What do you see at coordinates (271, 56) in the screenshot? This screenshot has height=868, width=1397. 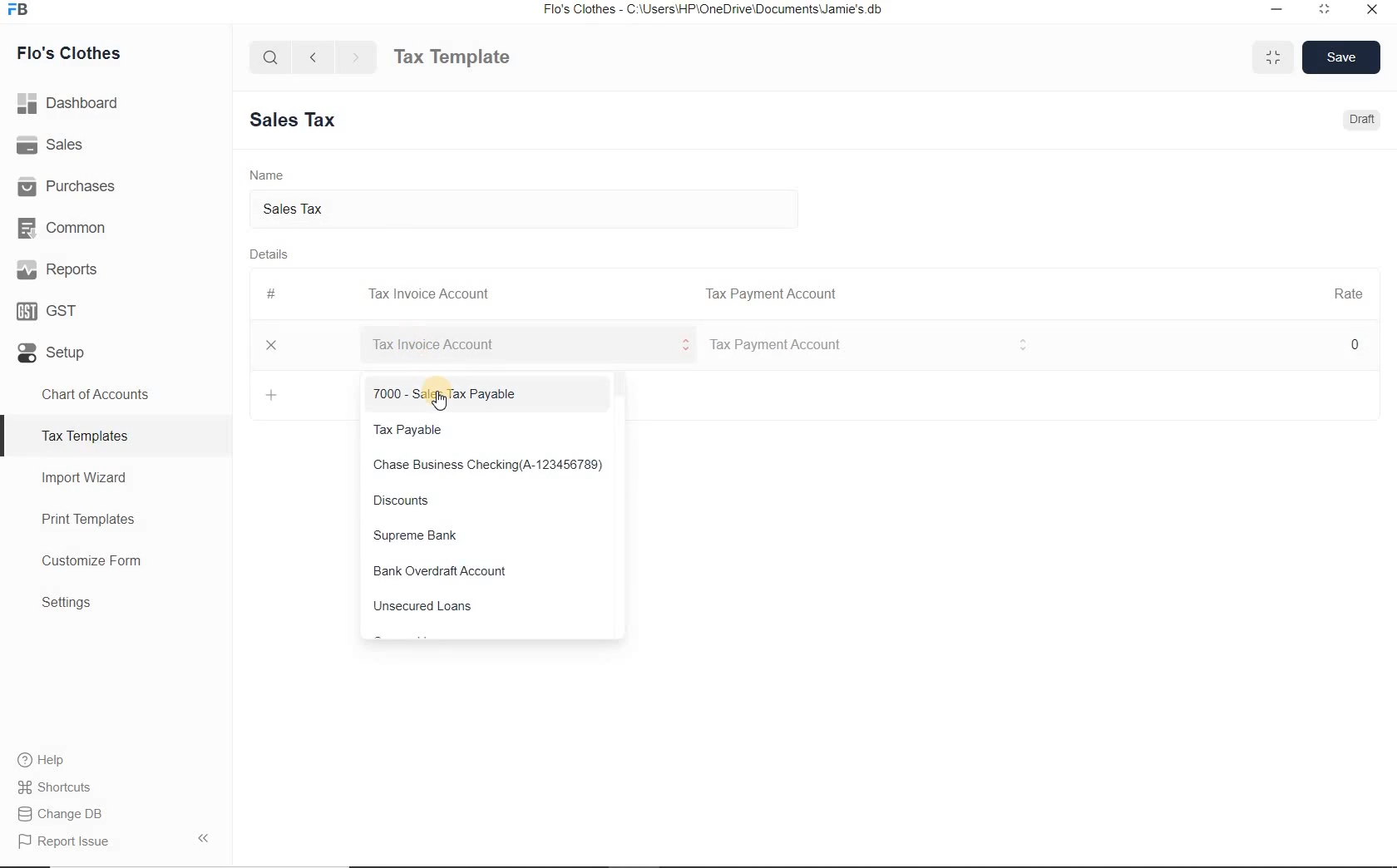 I see `Search Bar` at bounding box center [271, 56].